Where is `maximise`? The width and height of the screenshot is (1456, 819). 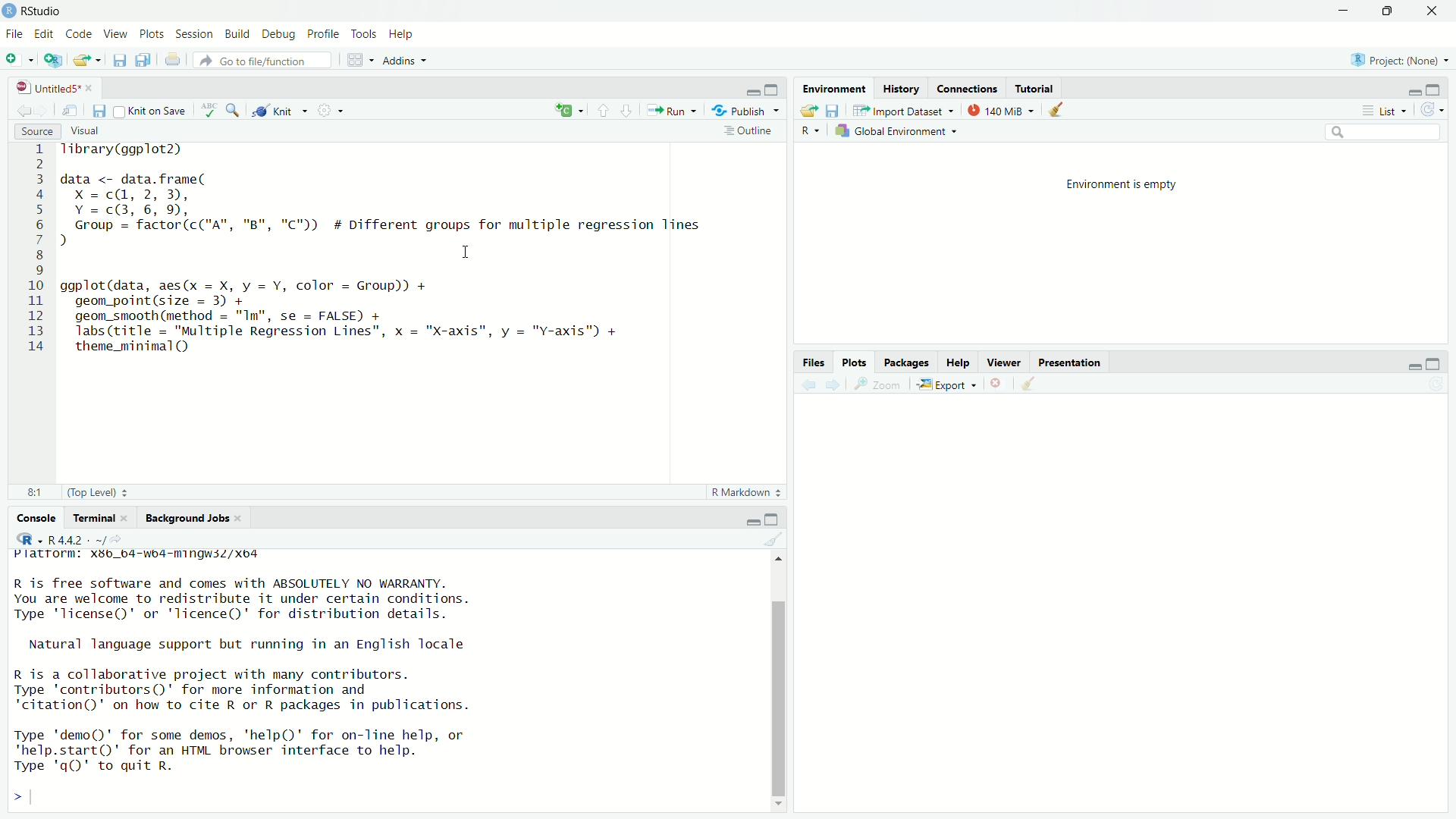
maximise is located at coordinates (1439, 362).